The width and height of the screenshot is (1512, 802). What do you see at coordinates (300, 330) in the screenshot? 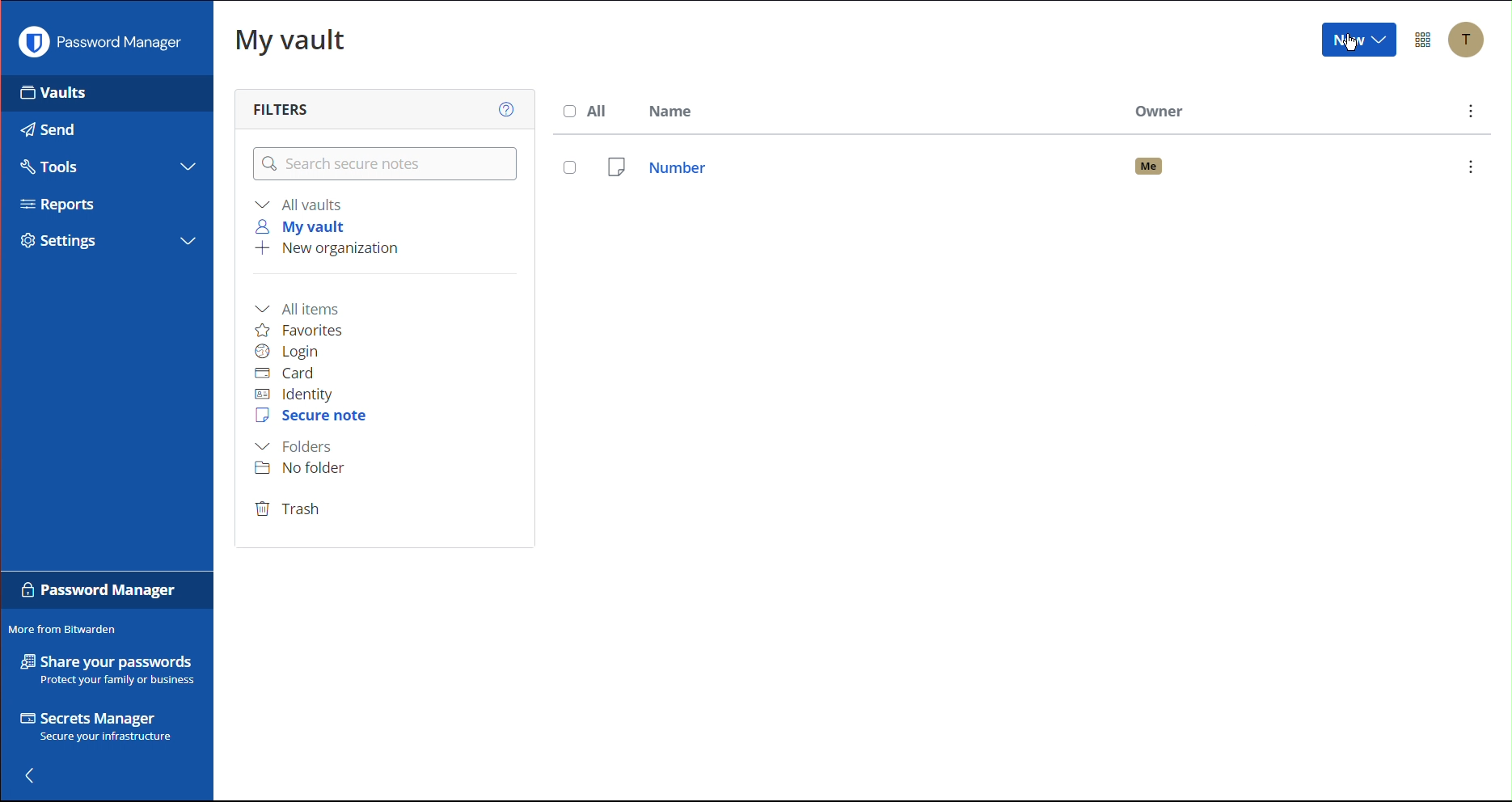
I see `Favorites` at bounding box center [300, 330].